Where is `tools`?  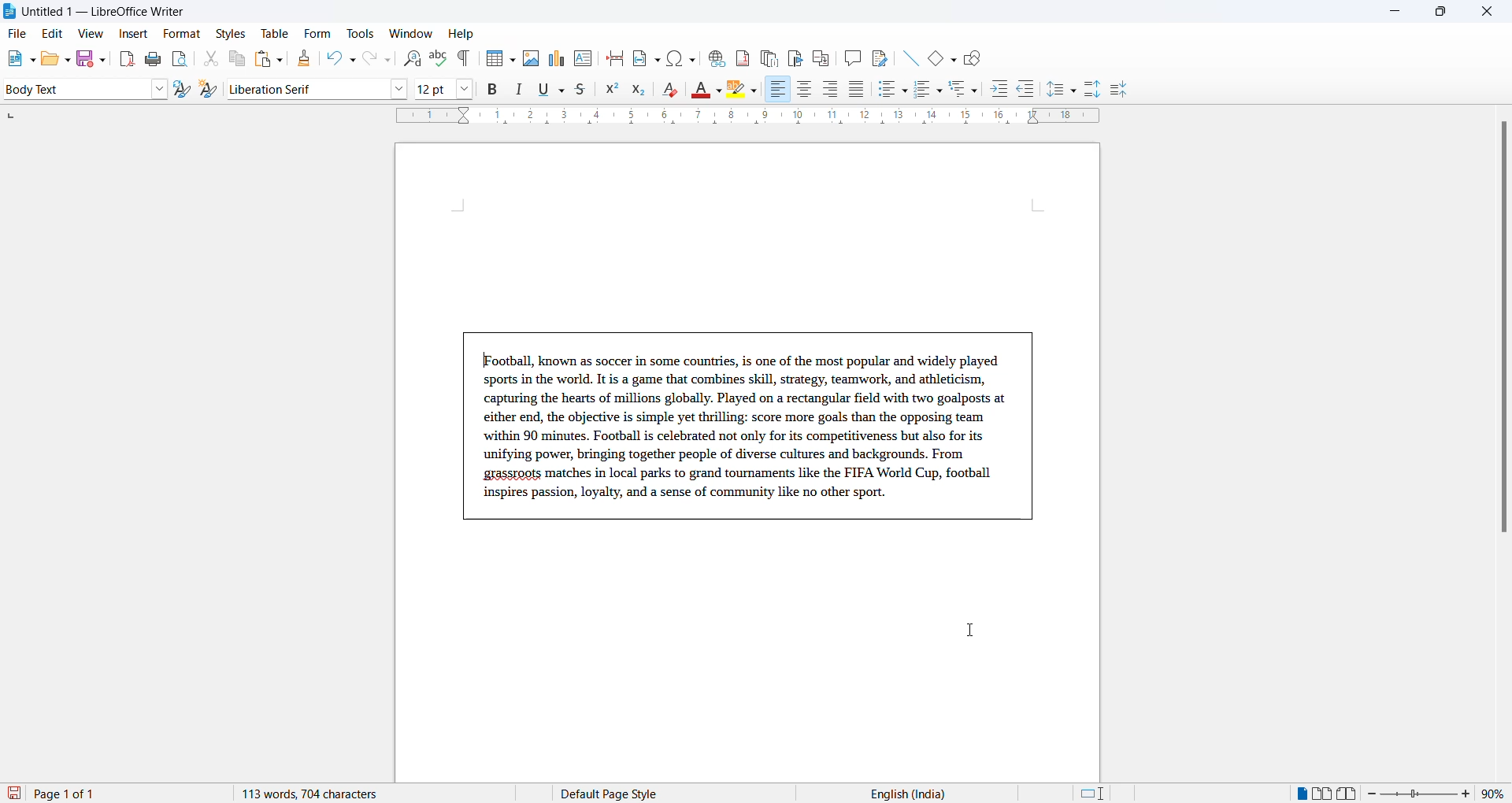 tools is located at coordinates (360, 34).